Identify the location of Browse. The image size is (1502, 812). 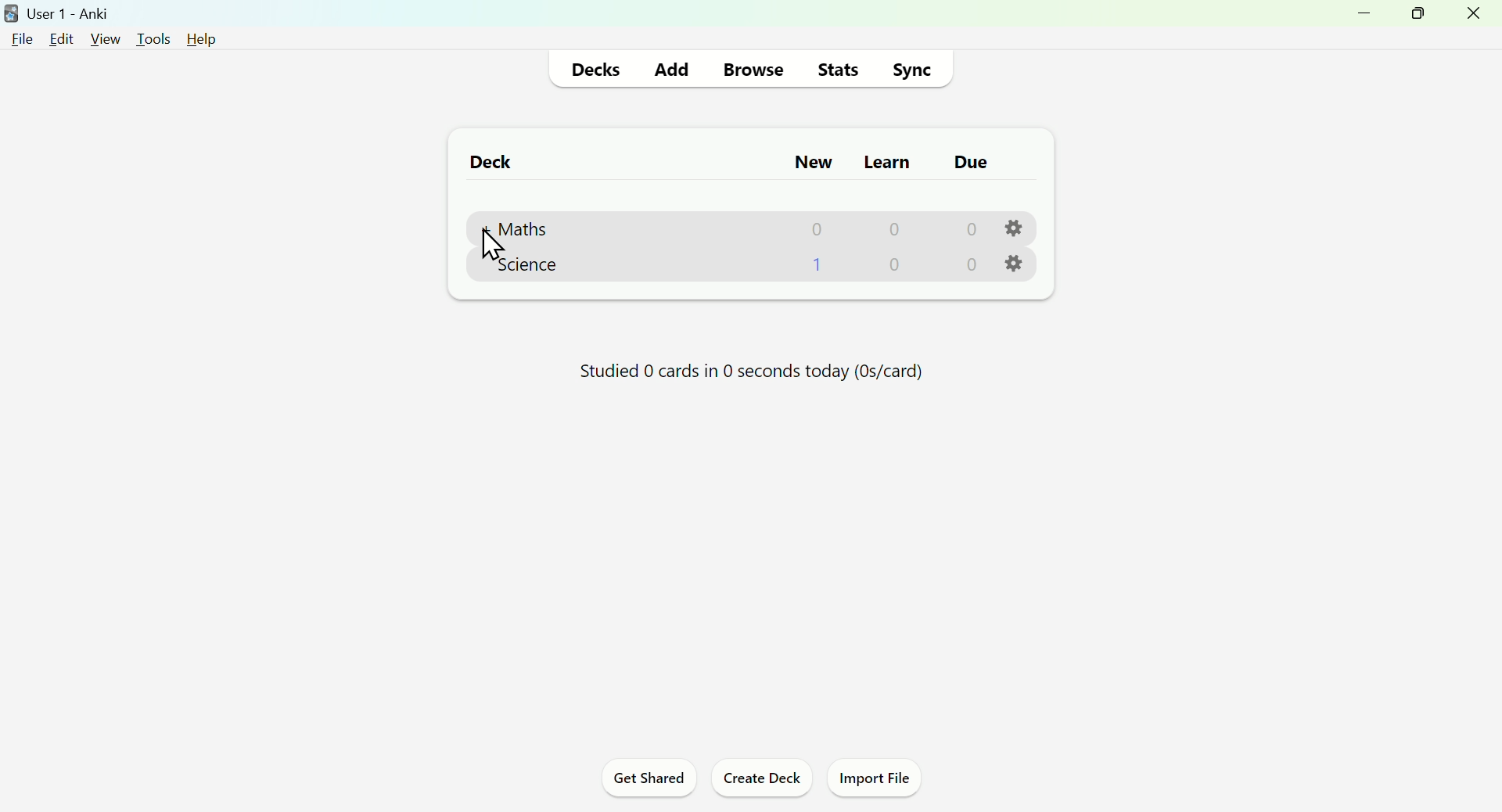
(751, 67).